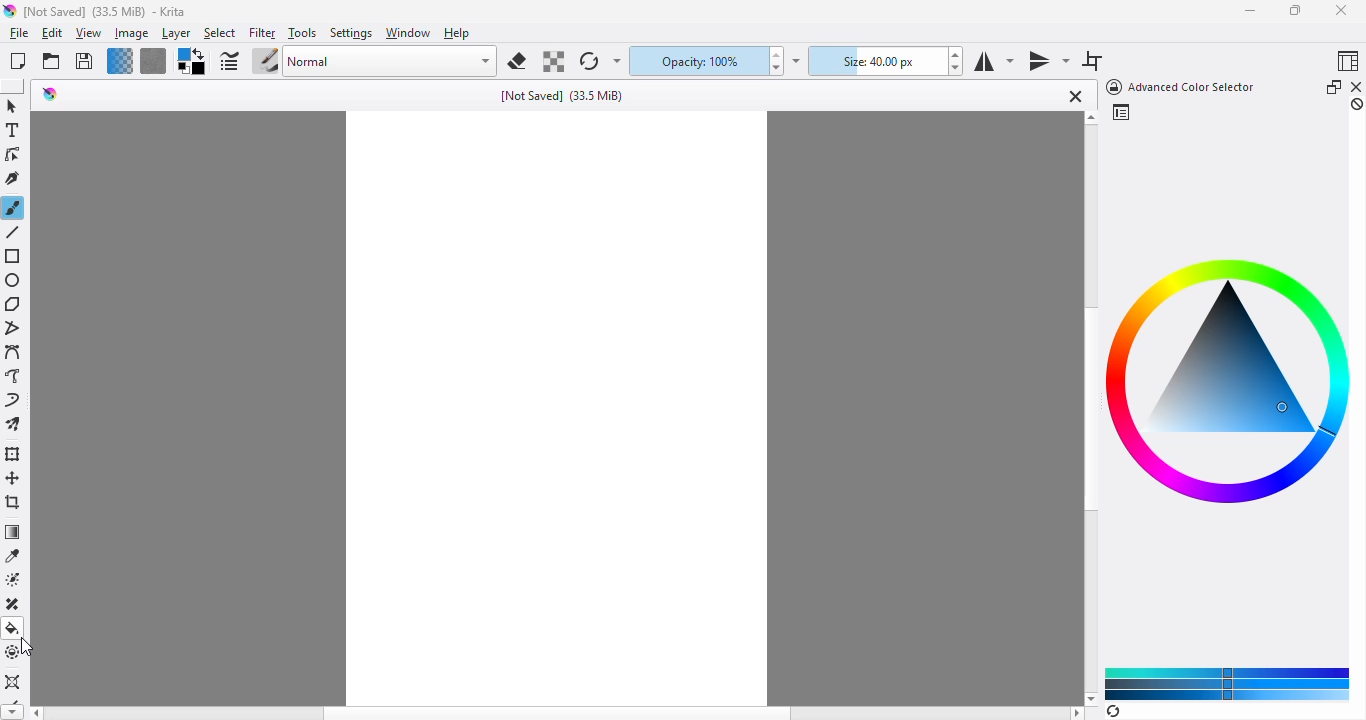  What do you see at coordinates (1091, 698) in the screenshot?
I see `scroll down` at bounding box center [1091, 698].